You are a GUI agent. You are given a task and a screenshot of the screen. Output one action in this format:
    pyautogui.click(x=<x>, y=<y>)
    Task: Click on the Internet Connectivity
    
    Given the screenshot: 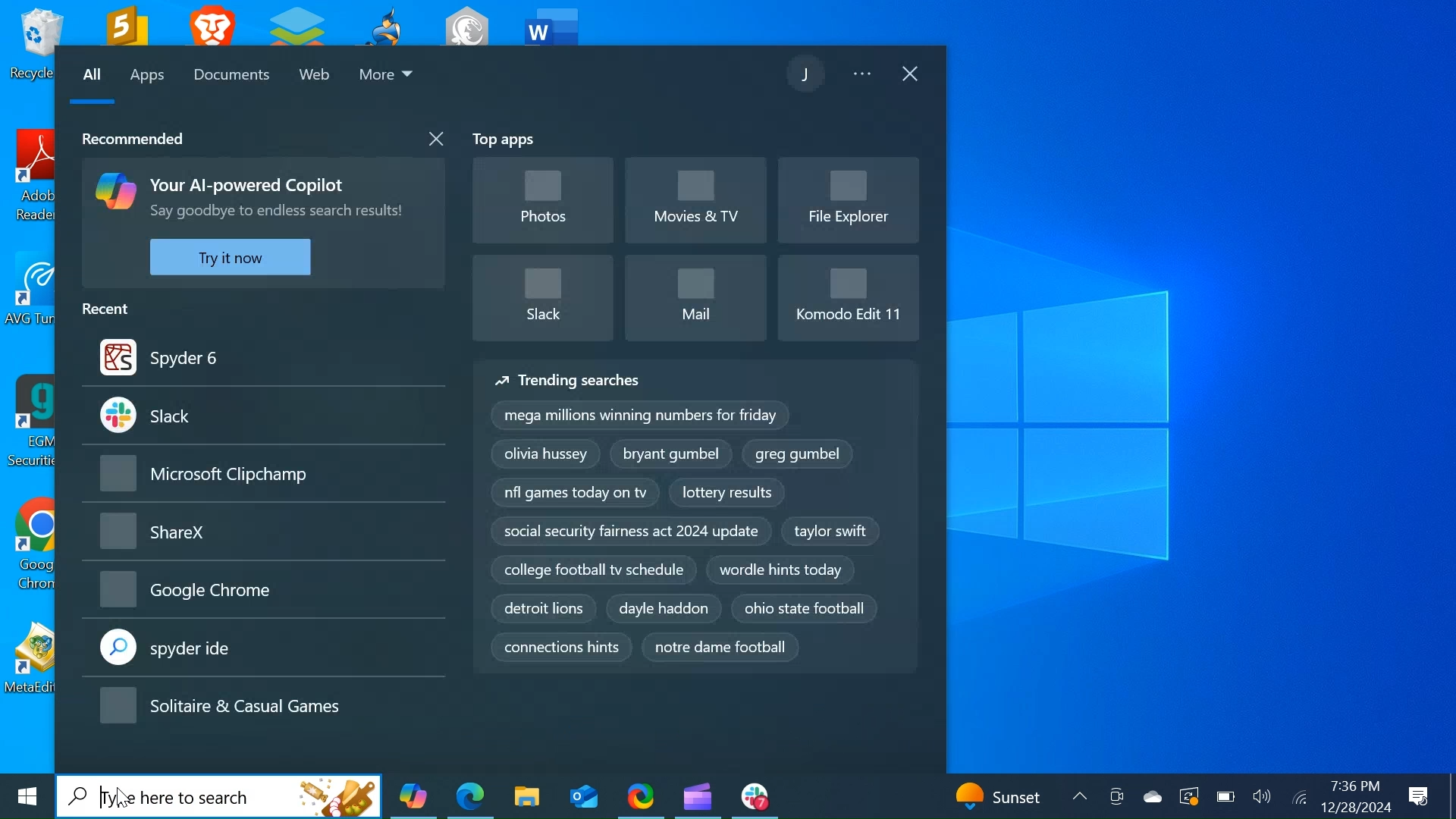 What is the action you would take?
    pyautogui.click(x=1298, y=798)
    